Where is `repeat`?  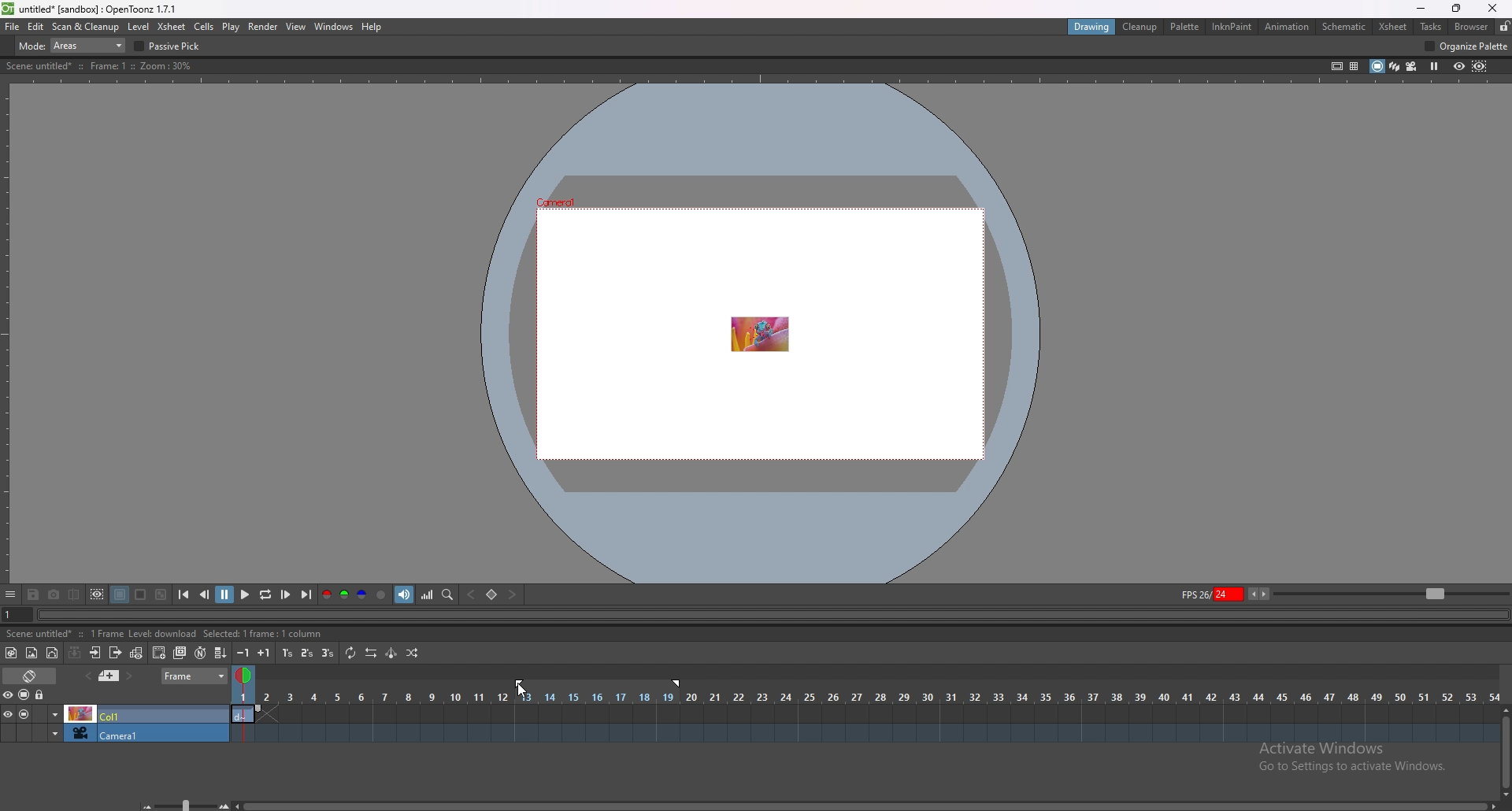 repeat is located at coordinates (352, 654).